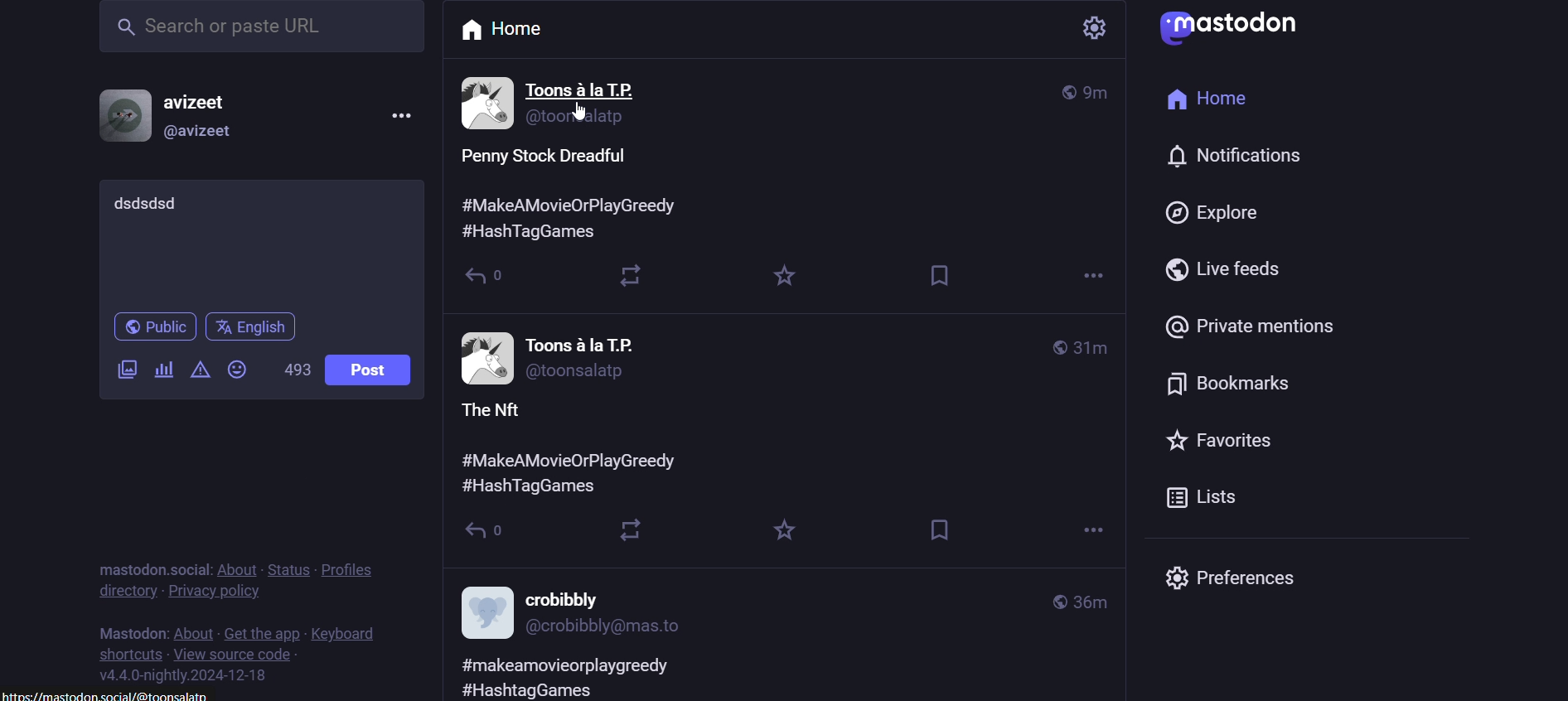  I want to click on profile picture, so click(123, 115).